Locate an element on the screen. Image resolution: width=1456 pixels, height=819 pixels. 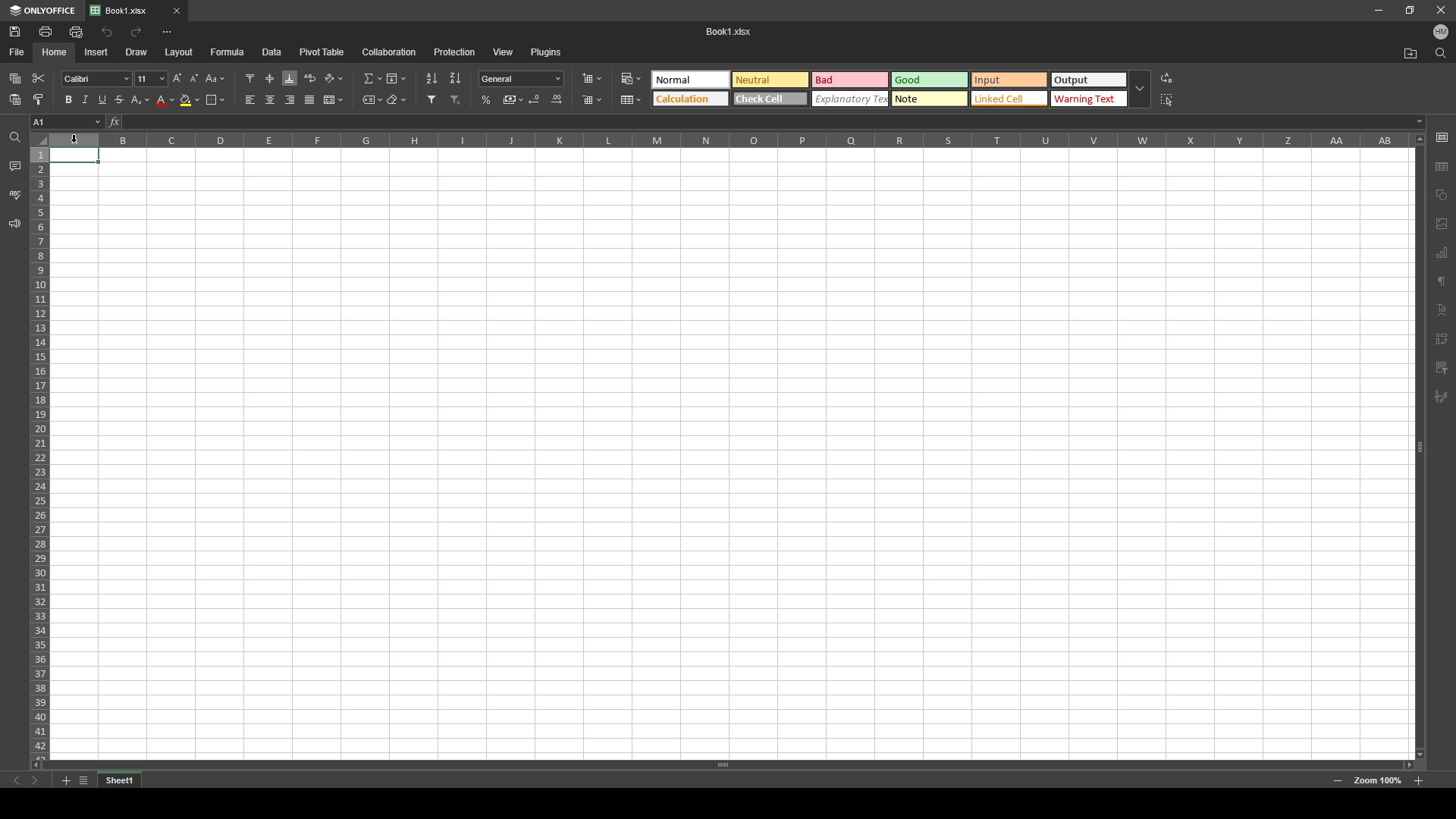
spreadsheet is located at coordinates (730, 454).